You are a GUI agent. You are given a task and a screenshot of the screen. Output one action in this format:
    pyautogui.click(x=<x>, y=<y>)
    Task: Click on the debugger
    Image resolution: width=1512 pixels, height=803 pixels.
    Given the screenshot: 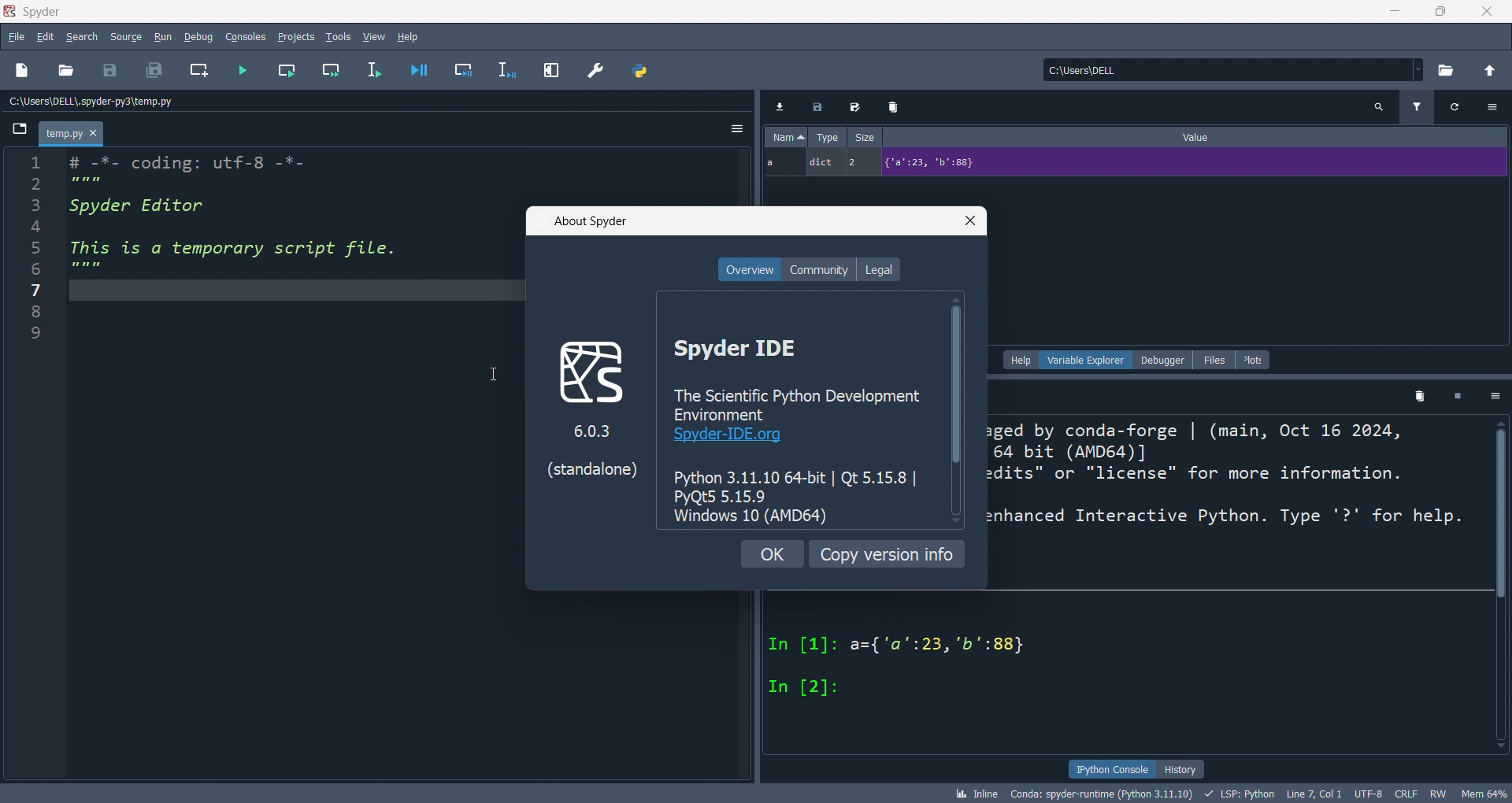 What is the action you would take?
    pyautogui.click(x=1164, y=359)
    